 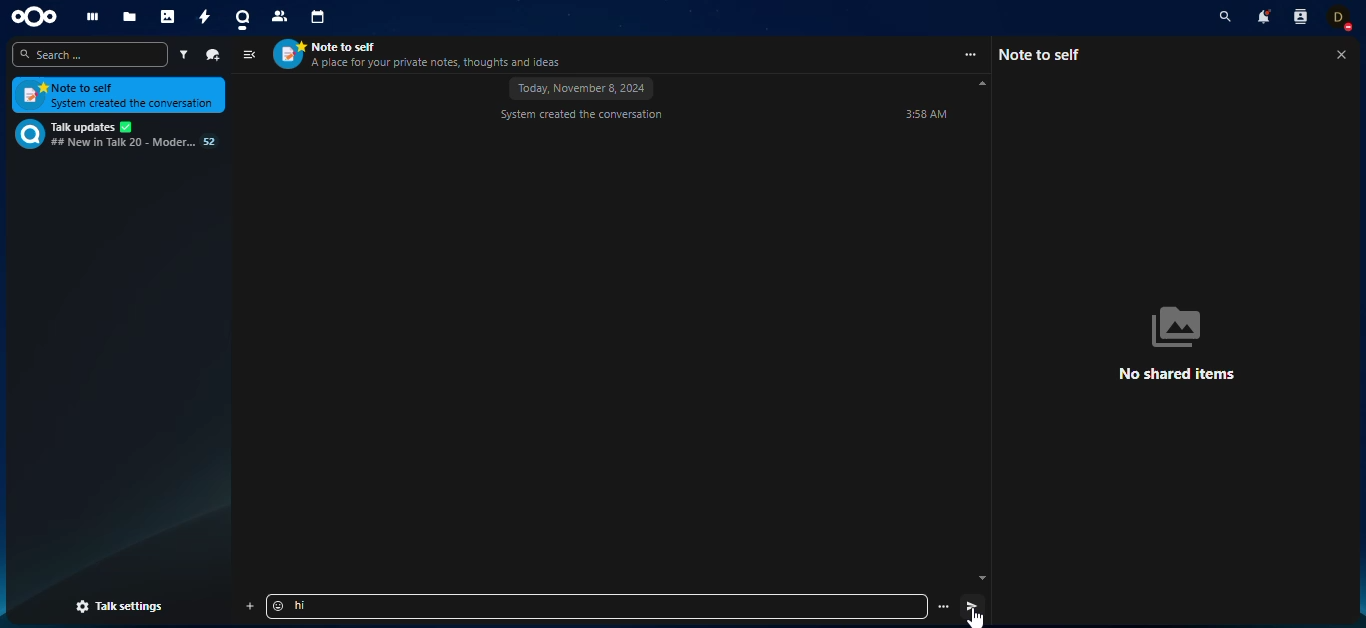 What do you see at coordinates (319, 19) in the screenshot?
I see `calendar` at bounding box center [319, 19].